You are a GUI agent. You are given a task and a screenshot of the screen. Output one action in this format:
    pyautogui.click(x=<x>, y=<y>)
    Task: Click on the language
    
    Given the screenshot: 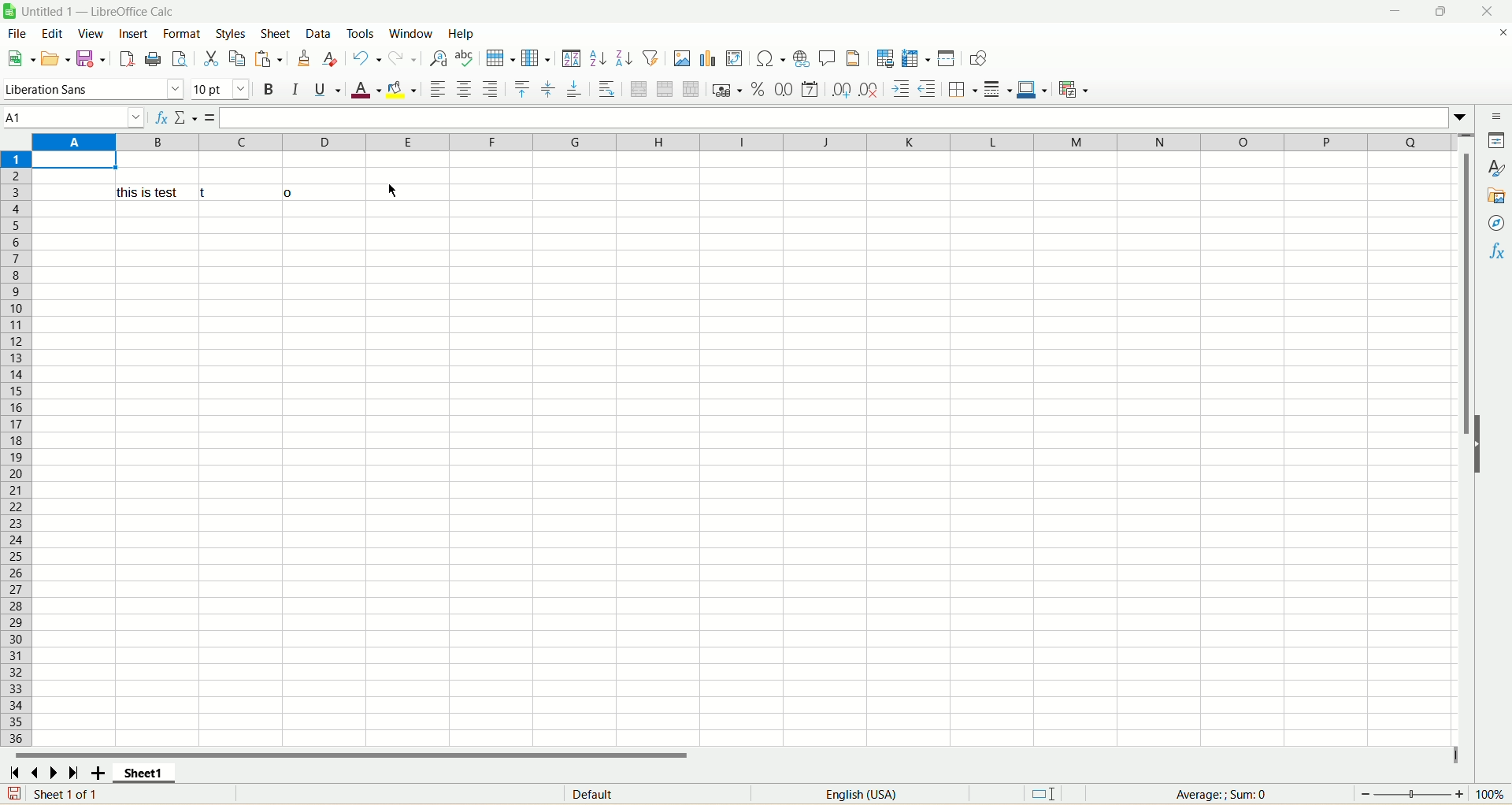 What is the action you would take?
    pyautogui.click(x=869, y=795)
    